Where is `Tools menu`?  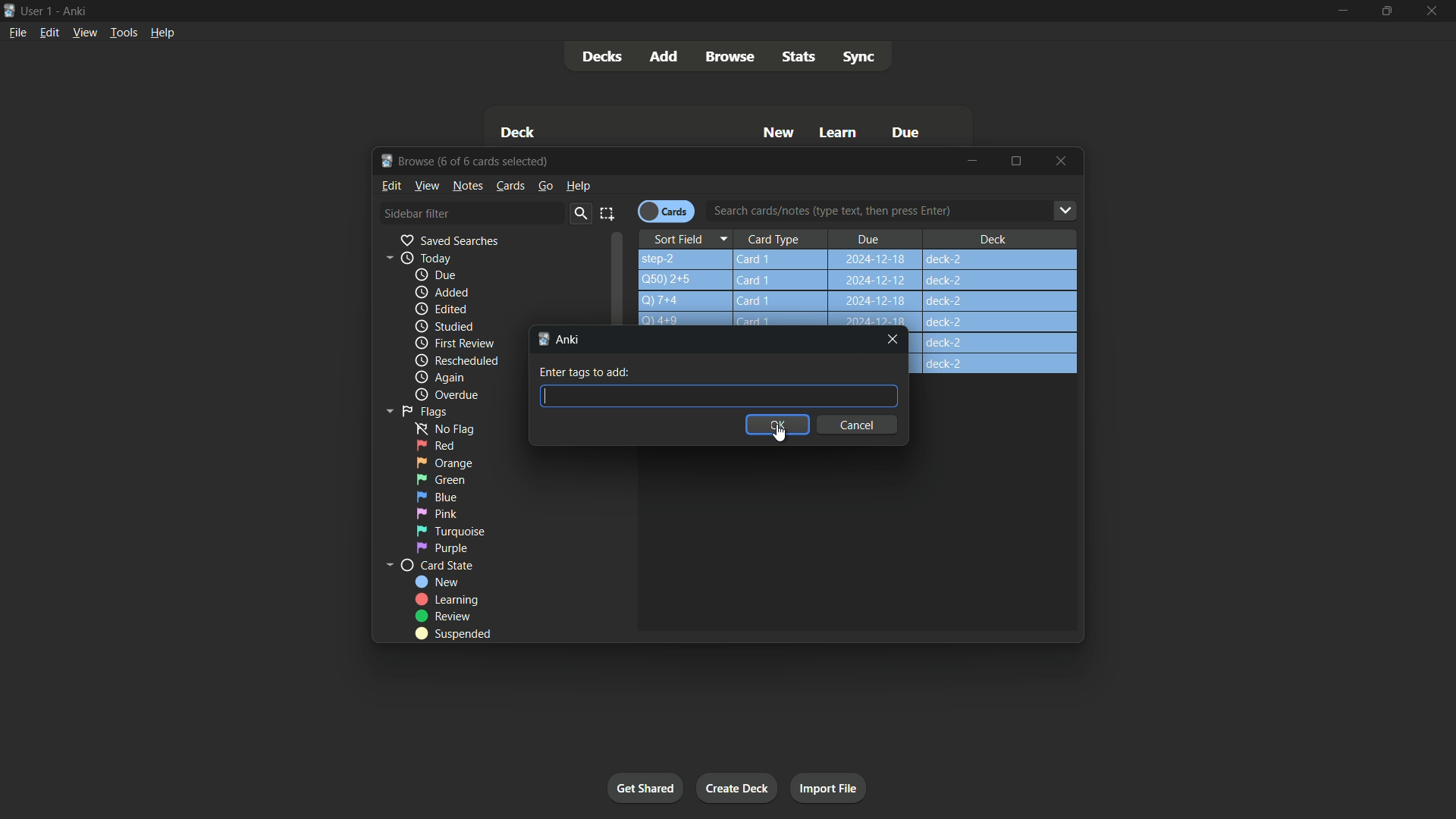
Tools menu is located at coordinates (121, 33).